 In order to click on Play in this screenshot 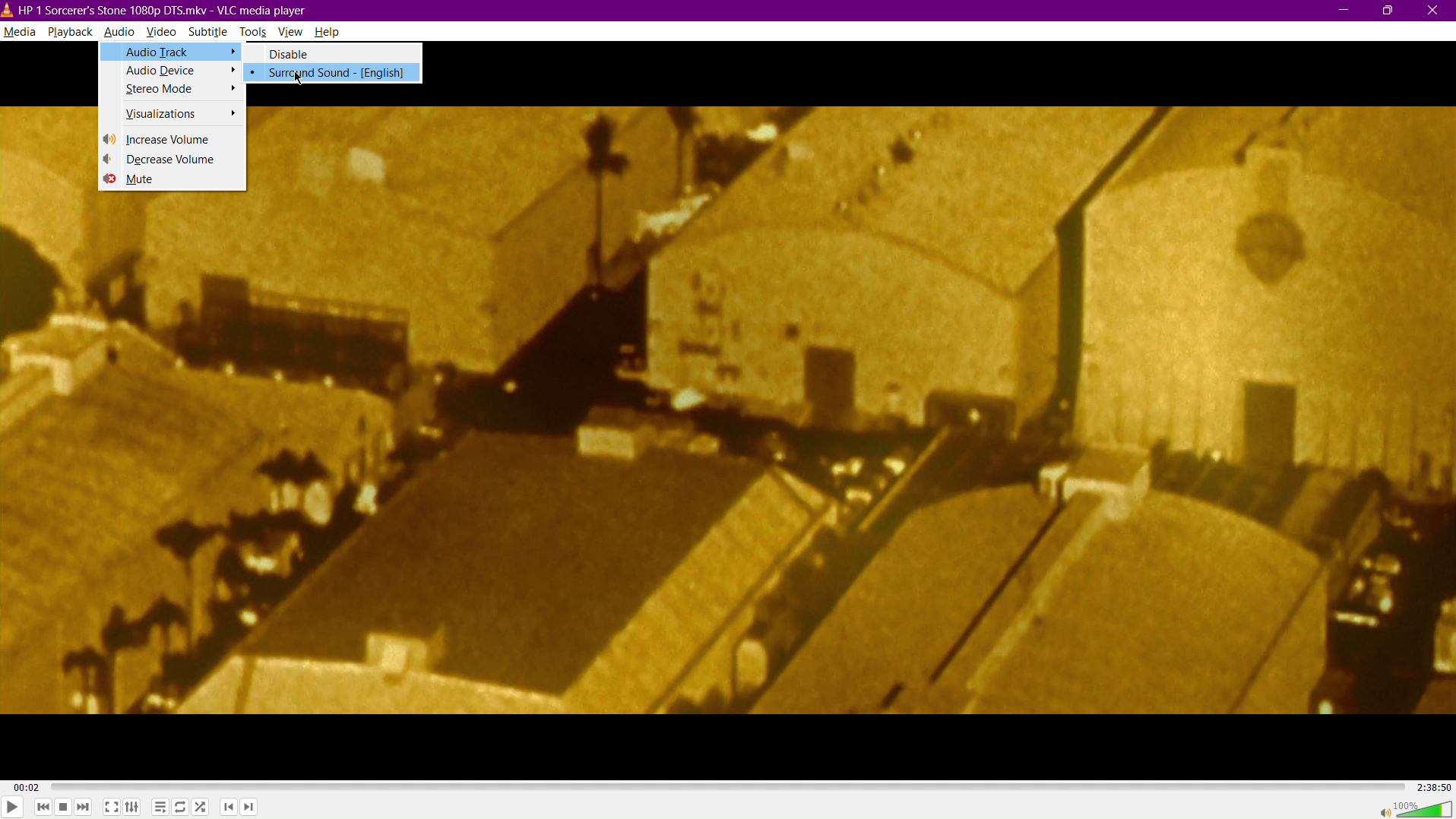, I will do `click(12, 805)`.